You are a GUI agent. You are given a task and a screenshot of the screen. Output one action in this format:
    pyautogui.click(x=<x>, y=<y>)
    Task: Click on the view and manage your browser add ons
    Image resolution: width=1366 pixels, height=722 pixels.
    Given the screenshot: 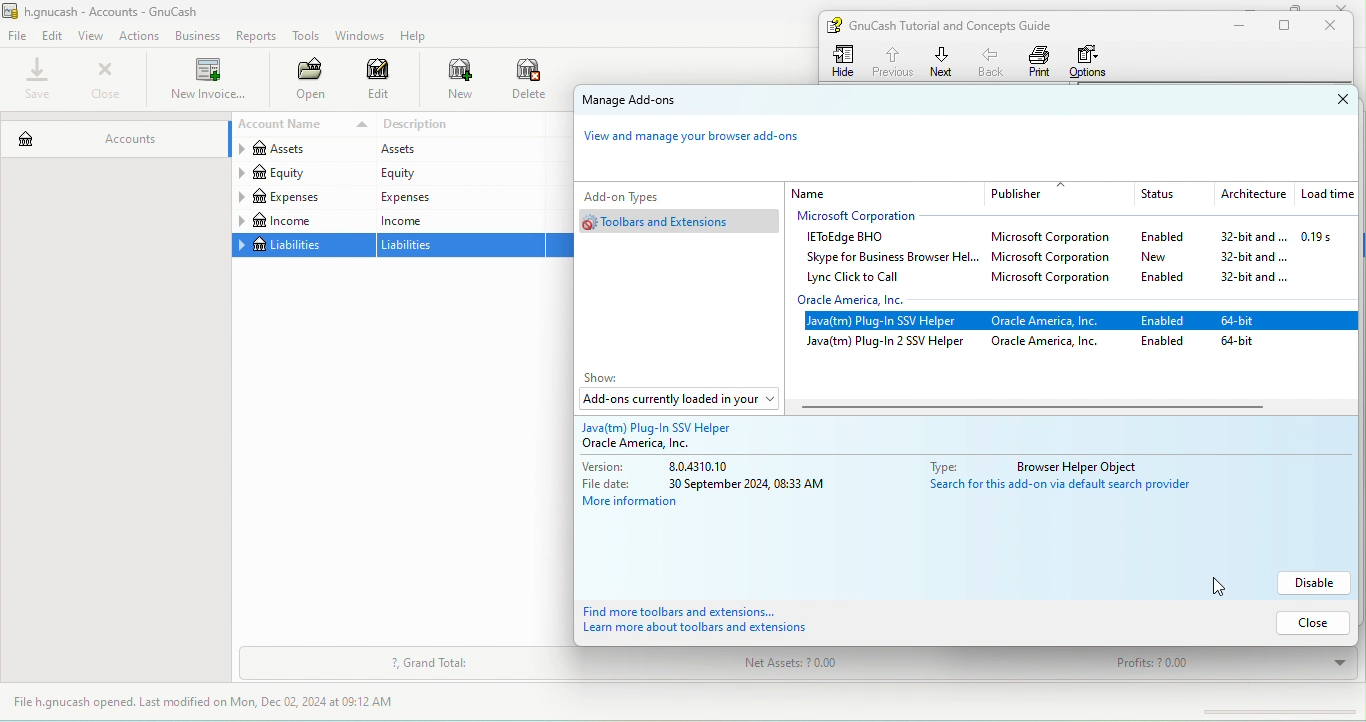 What is the action you would take?
    pyautogui.click(x=702, y=141)
    